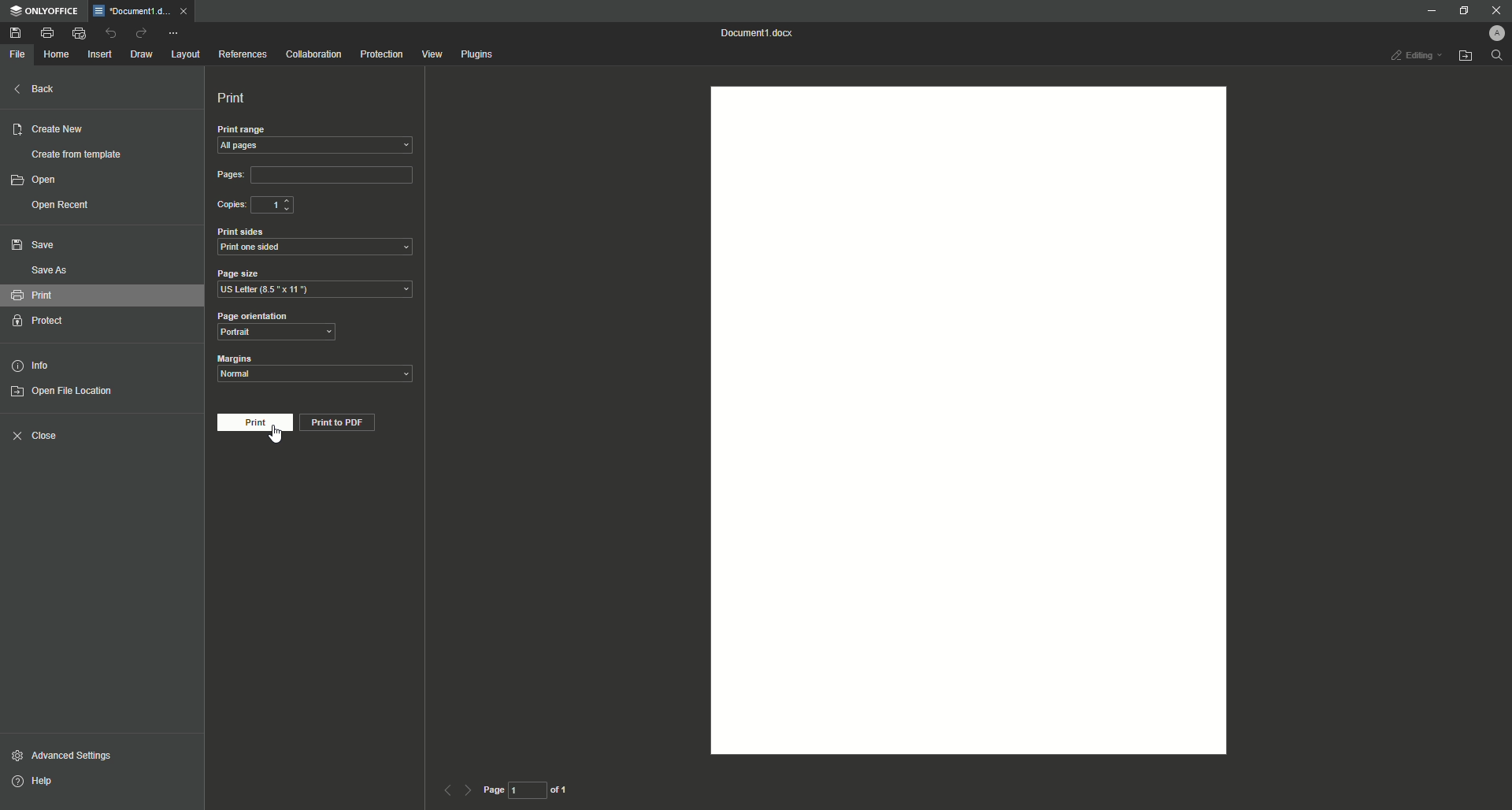  What do you see at coordinates (38, 365) in the screenshot?
I see `Info` at bounding box center [38, 365].